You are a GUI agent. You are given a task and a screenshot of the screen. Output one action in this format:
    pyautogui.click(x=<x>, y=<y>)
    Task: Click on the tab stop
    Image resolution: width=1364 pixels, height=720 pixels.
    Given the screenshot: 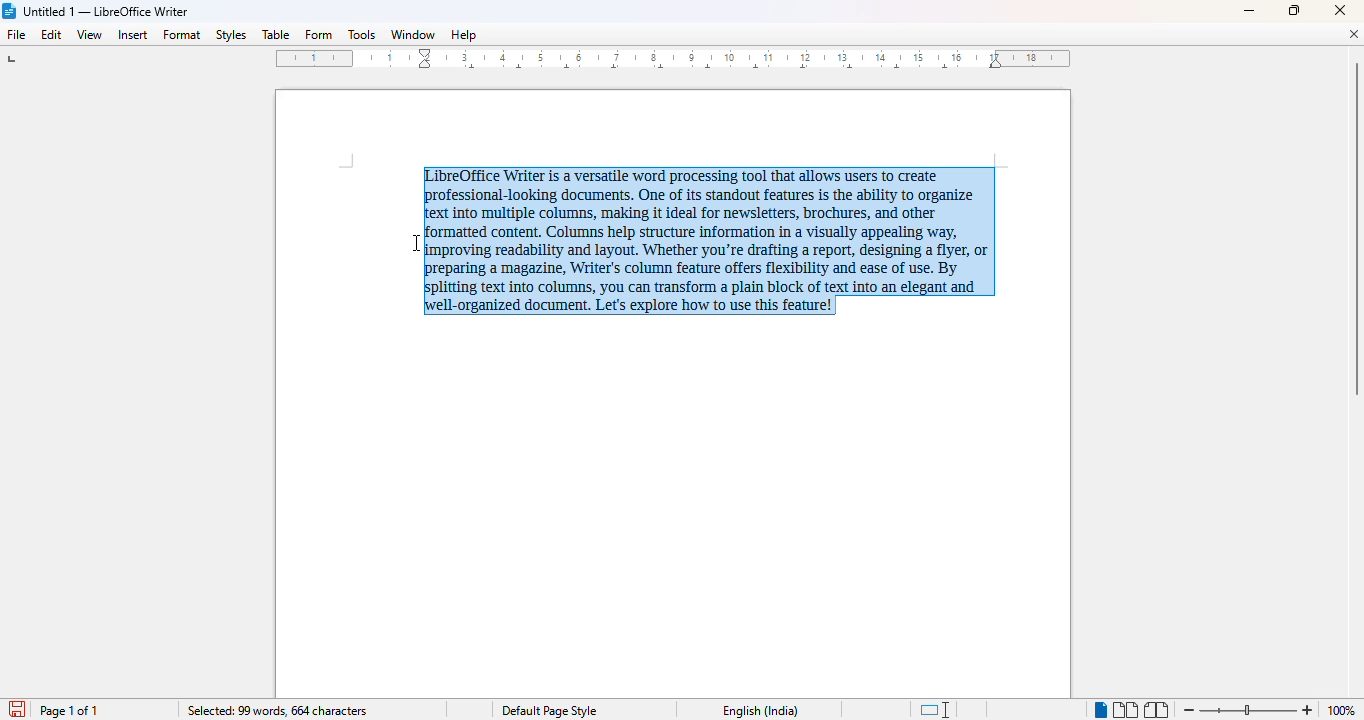 What is the action you would take?
    pyautogui.click(x=17, y=61)
    